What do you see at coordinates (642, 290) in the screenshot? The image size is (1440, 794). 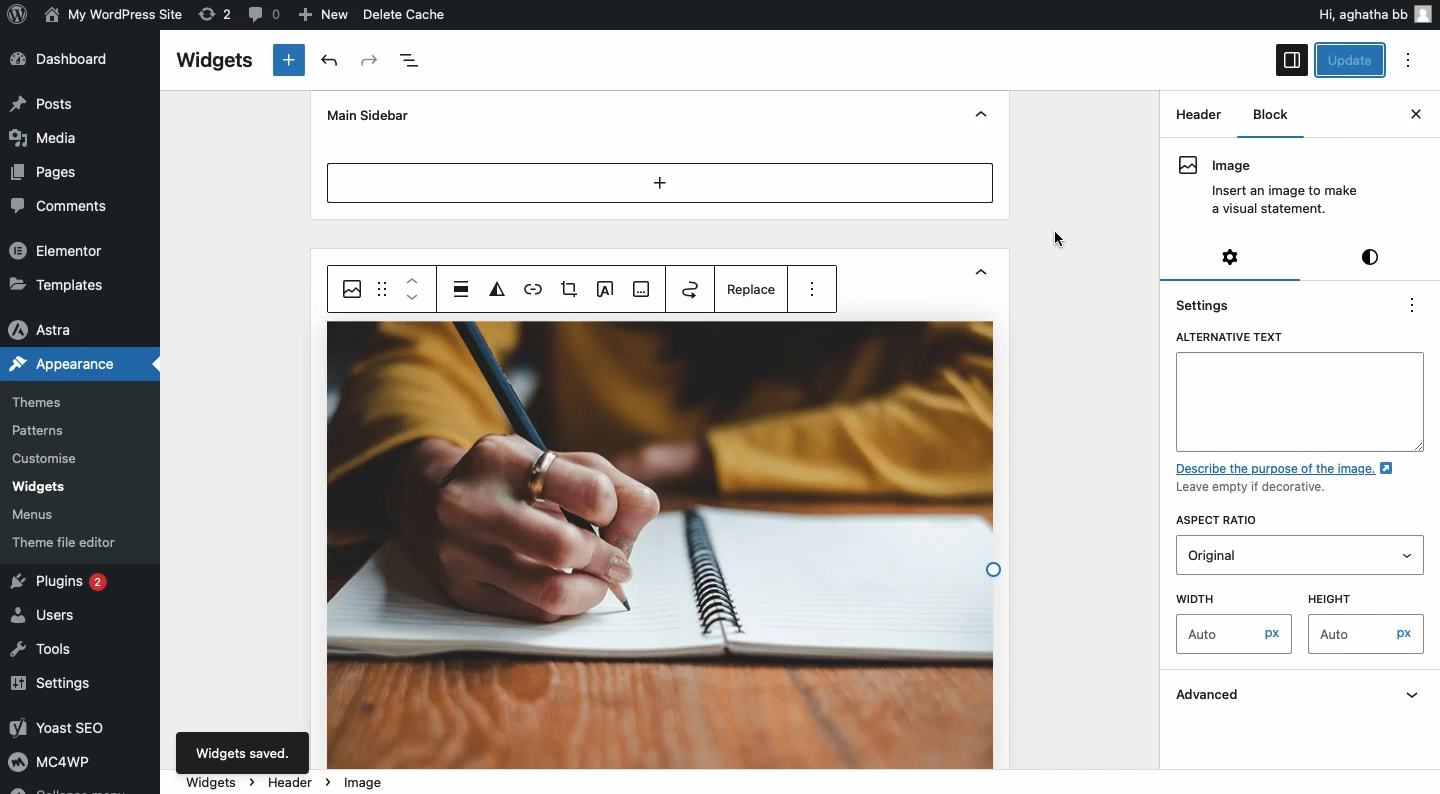 I see `Add image` at bounding box center [642, 290].